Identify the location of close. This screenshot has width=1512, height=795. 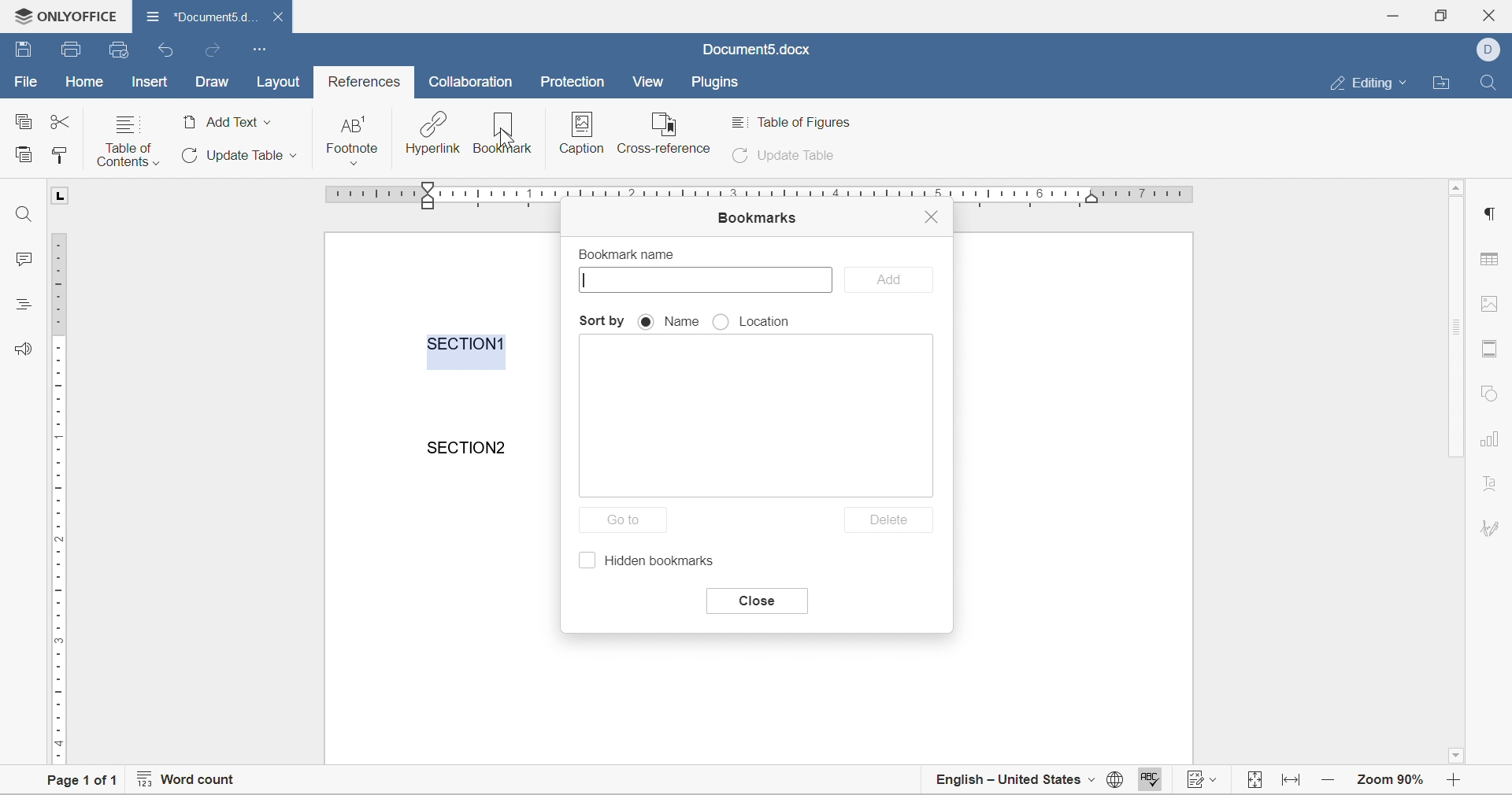
(755, 601).